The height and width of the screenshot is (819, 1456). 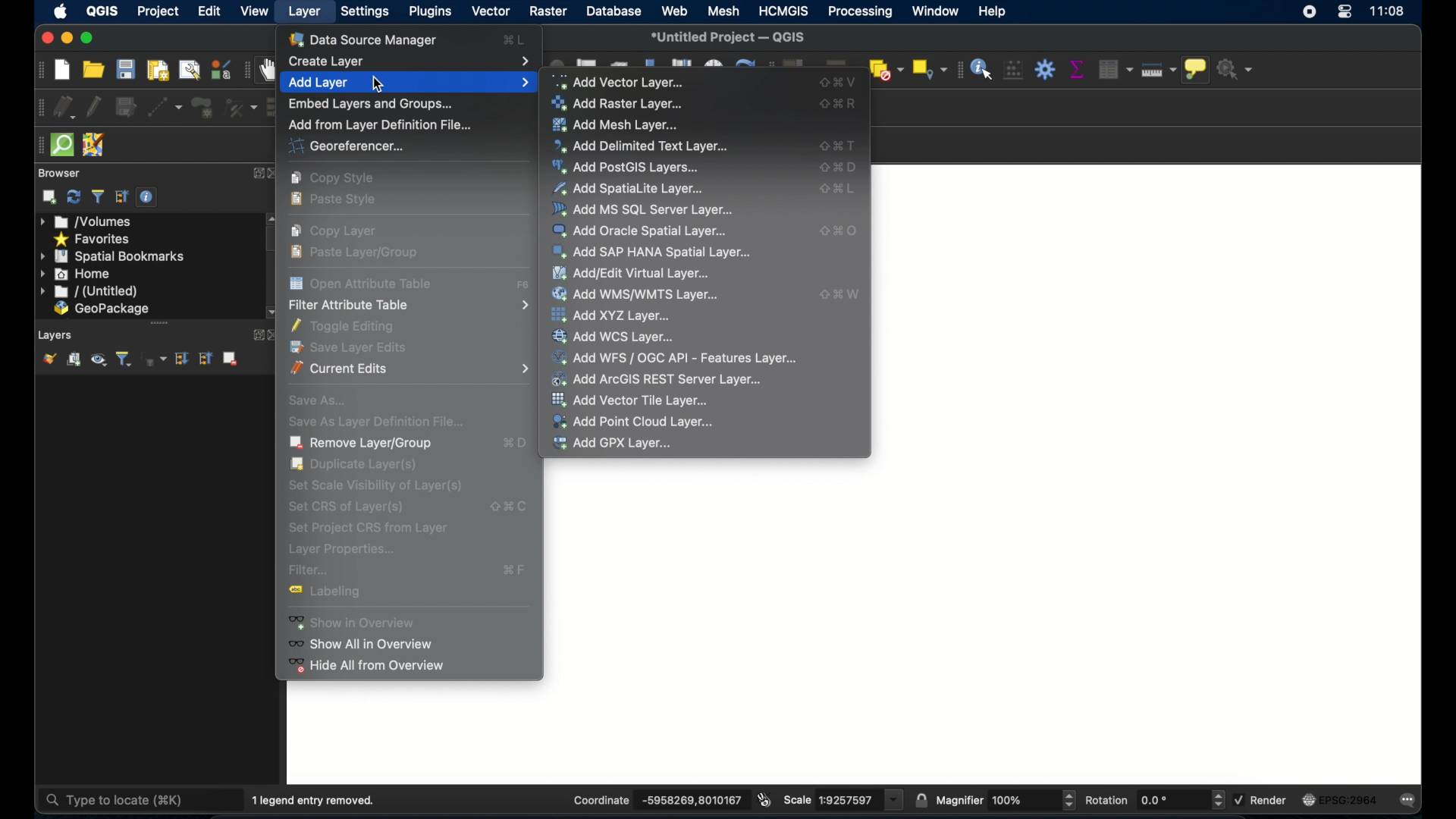 I want to click on toggle extents and mouse position display, so click(x=766, y=799).